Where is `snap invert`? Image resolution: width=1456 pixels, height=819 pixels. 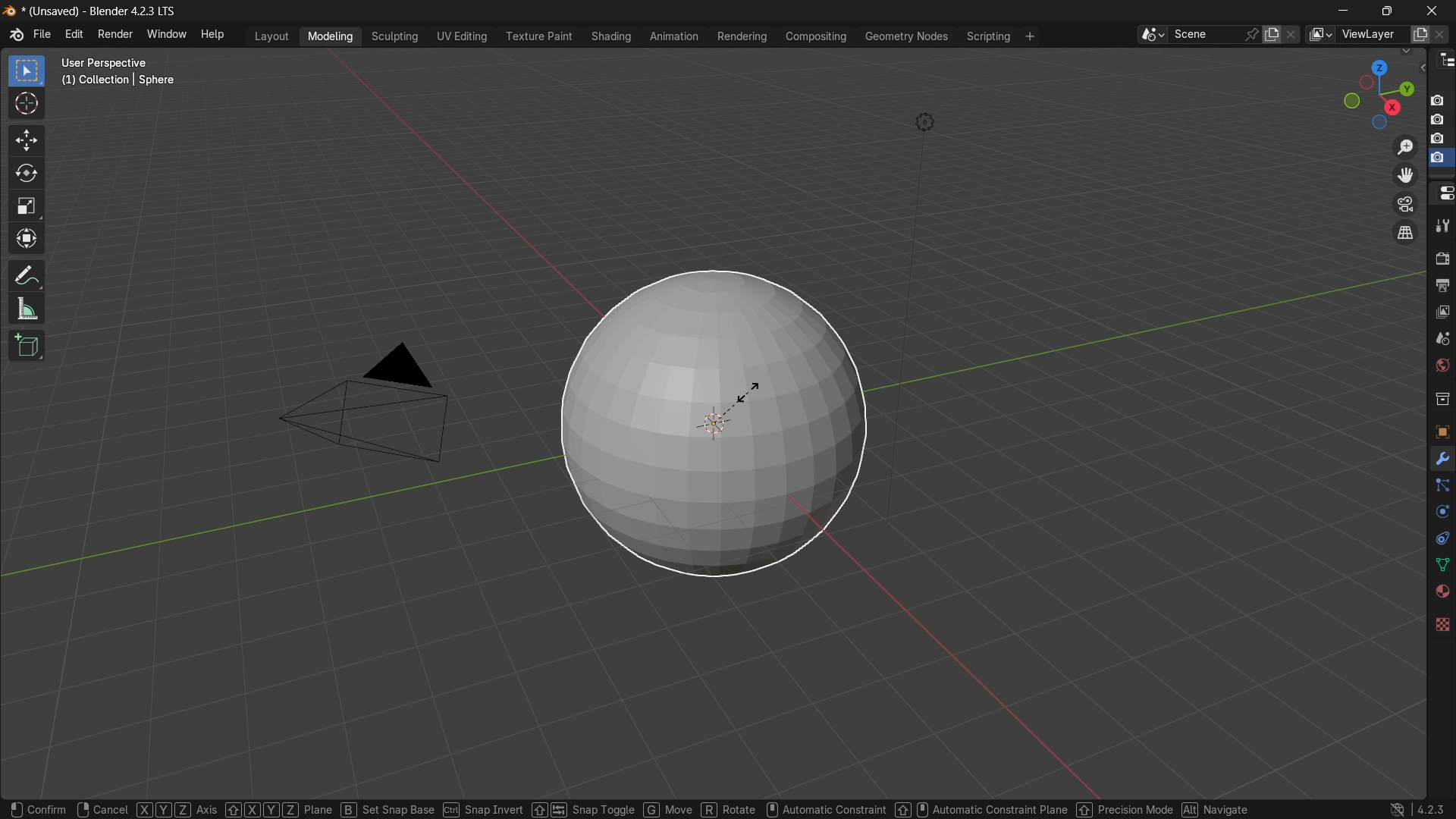
snap invert is located at coordinates (516, 806).